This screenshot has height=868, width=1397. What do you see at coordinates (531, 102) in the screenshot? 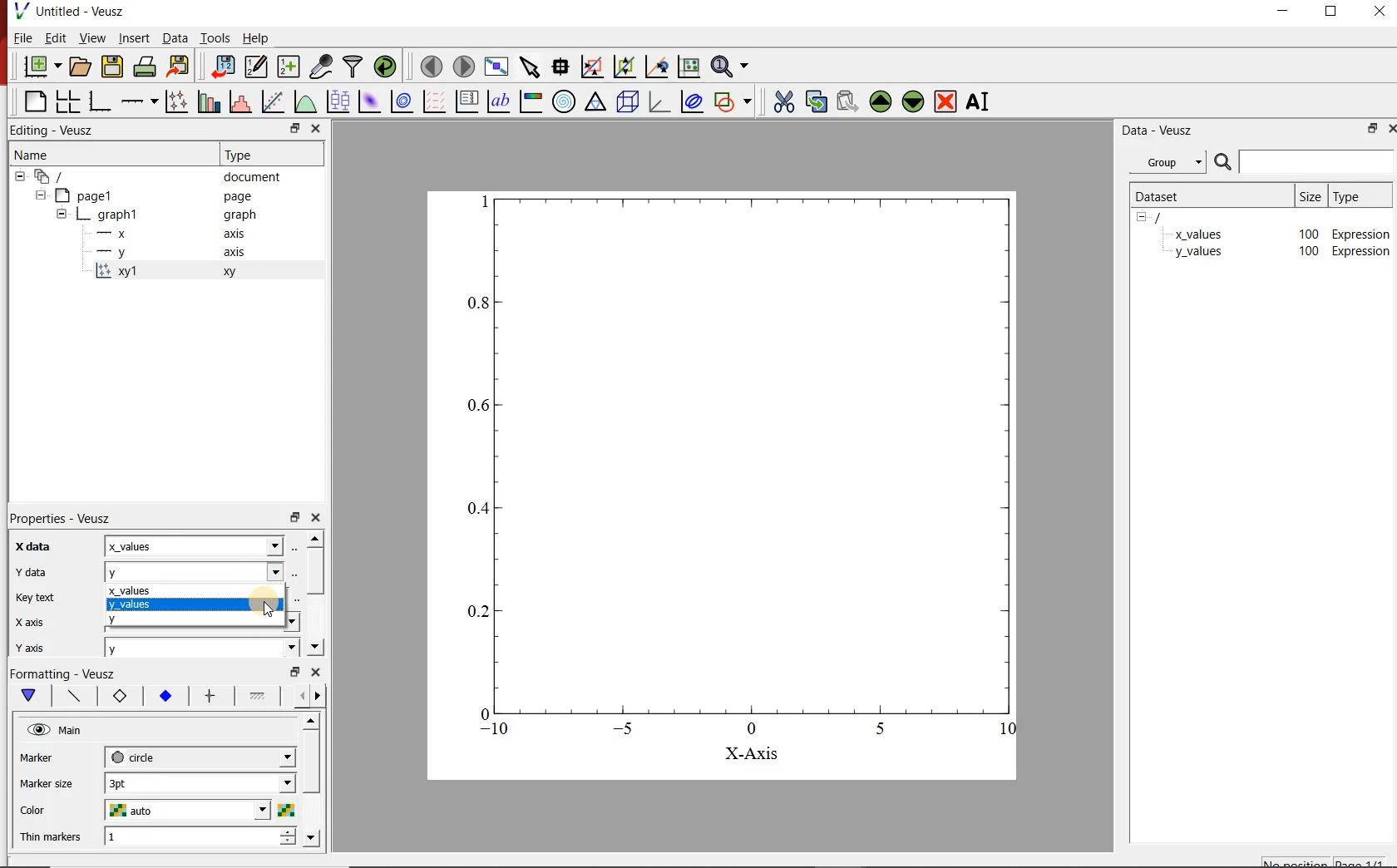
I see `image color bar` at bounding box center [531, 102].